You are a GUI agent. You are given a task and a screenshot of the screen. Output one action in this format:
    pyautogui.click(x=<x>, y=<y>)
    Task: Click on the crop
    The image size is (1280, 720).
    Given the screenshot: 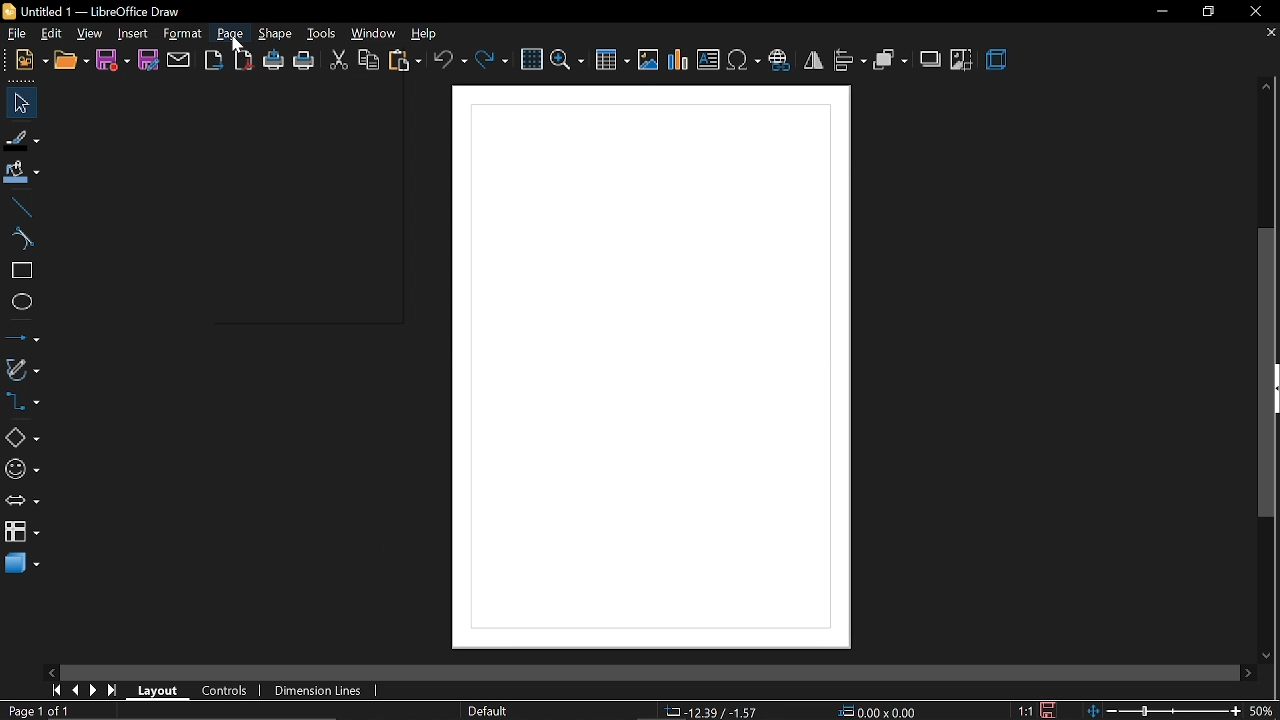 What is the action you would take?
    pyautogui.click(x=961, y=62)
    